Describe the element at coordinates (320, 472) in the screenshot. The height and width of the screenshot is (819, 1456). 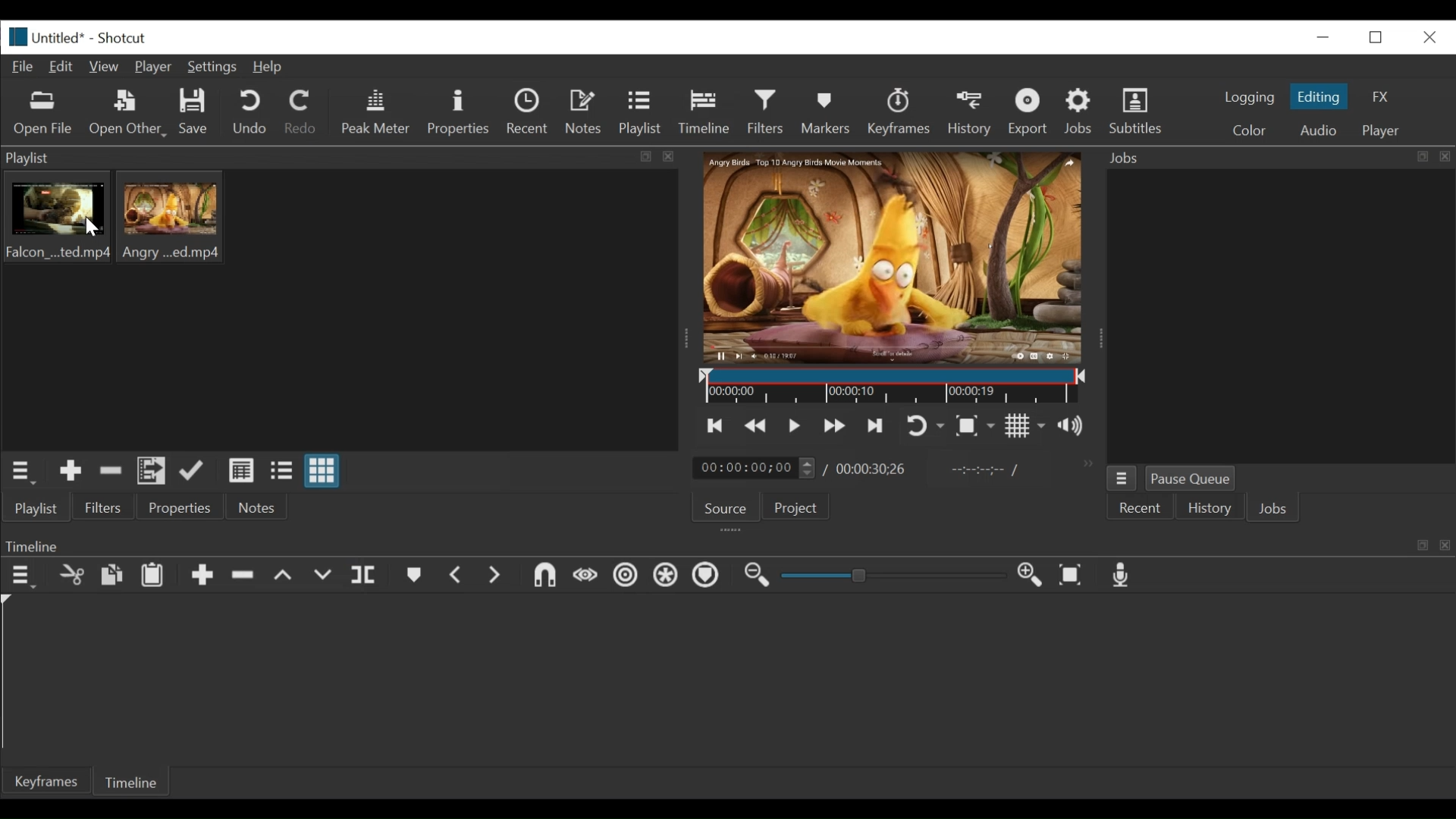
I see `view as icons` at that location.